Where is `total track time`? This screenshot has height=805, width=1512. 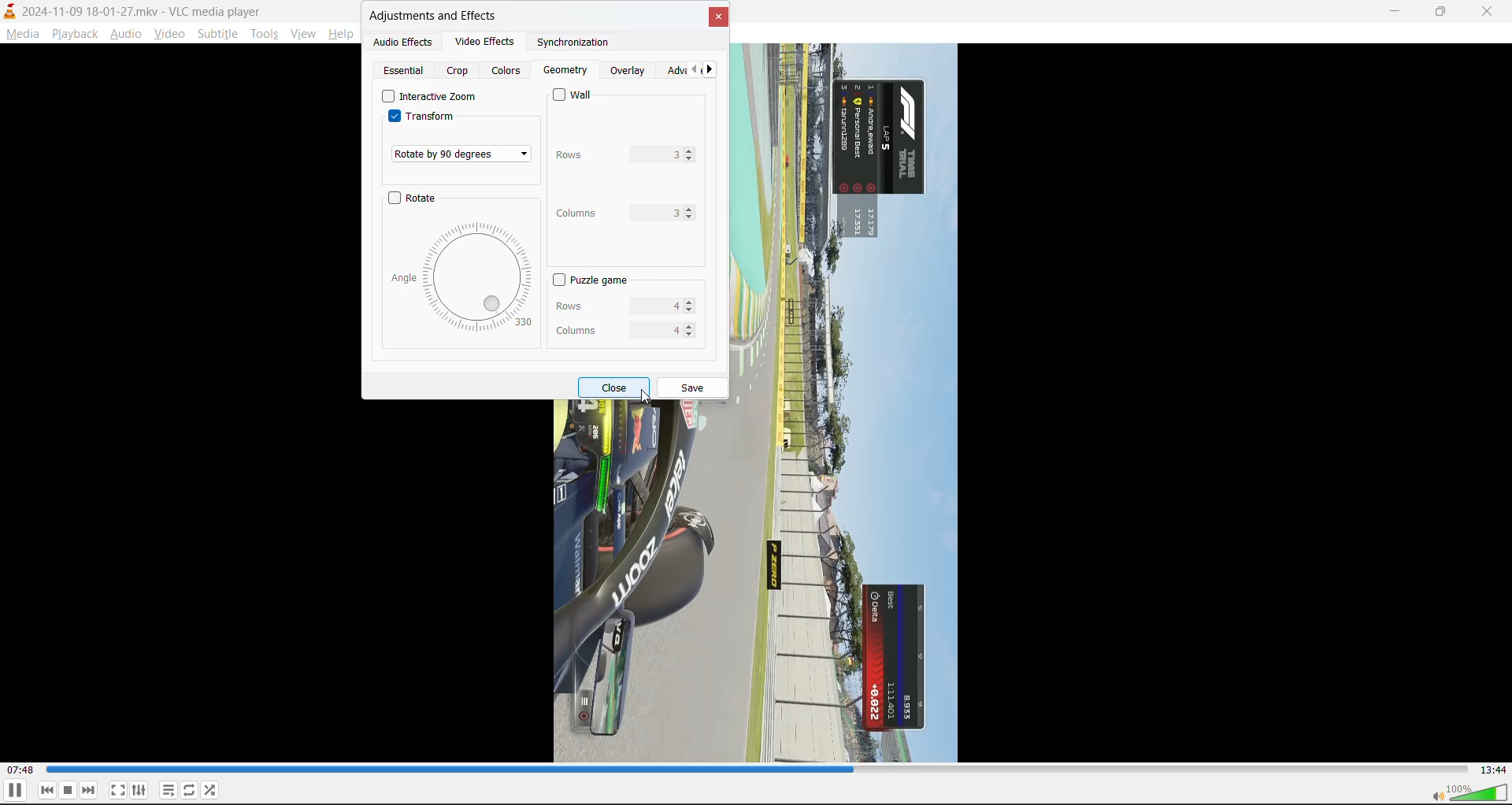
total track time is located at coordinates (1493, 770).